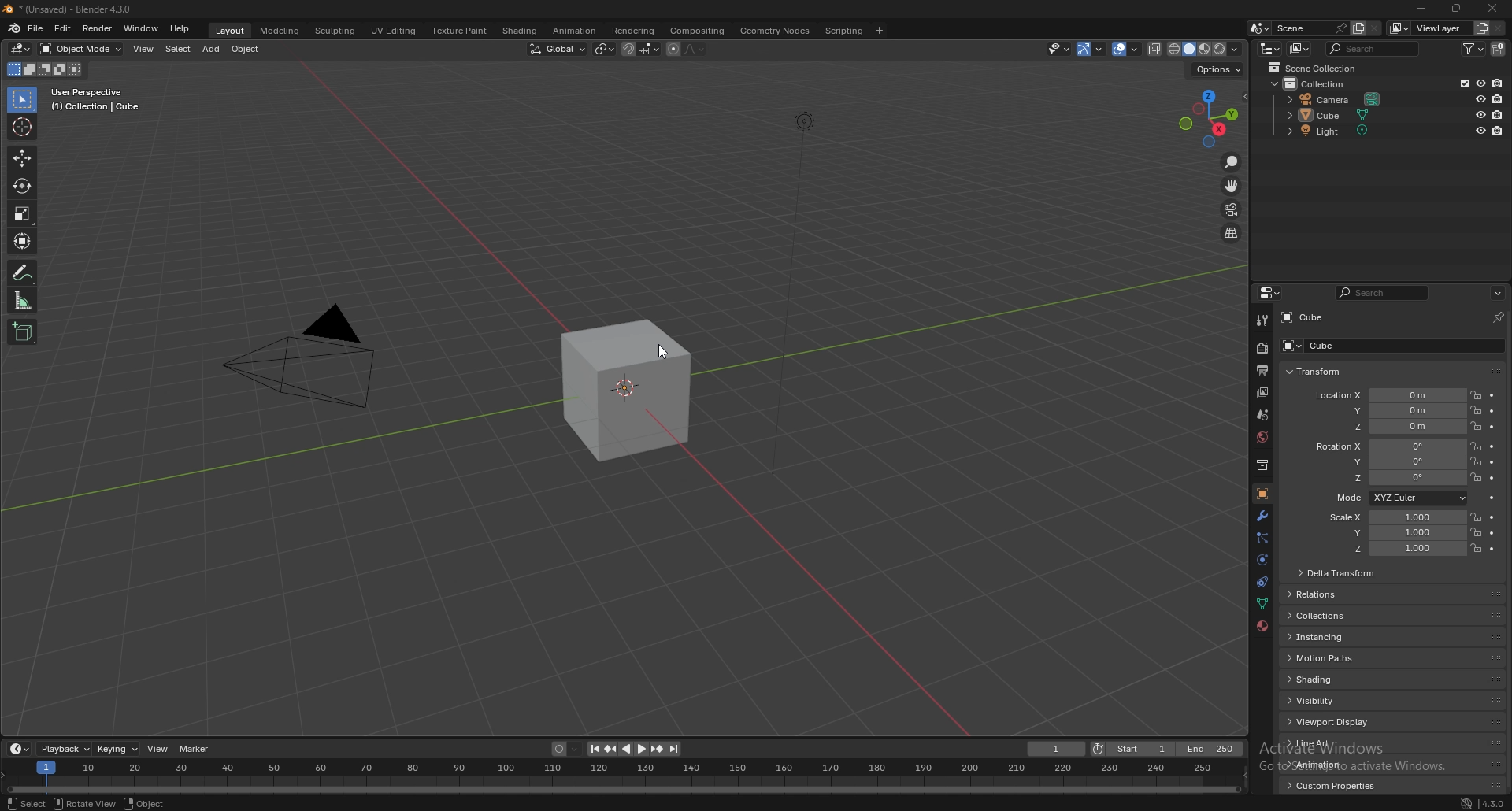 The width and height of the screenshot is (1512, 811). I want to click on rotation x, so click(1388, 447).